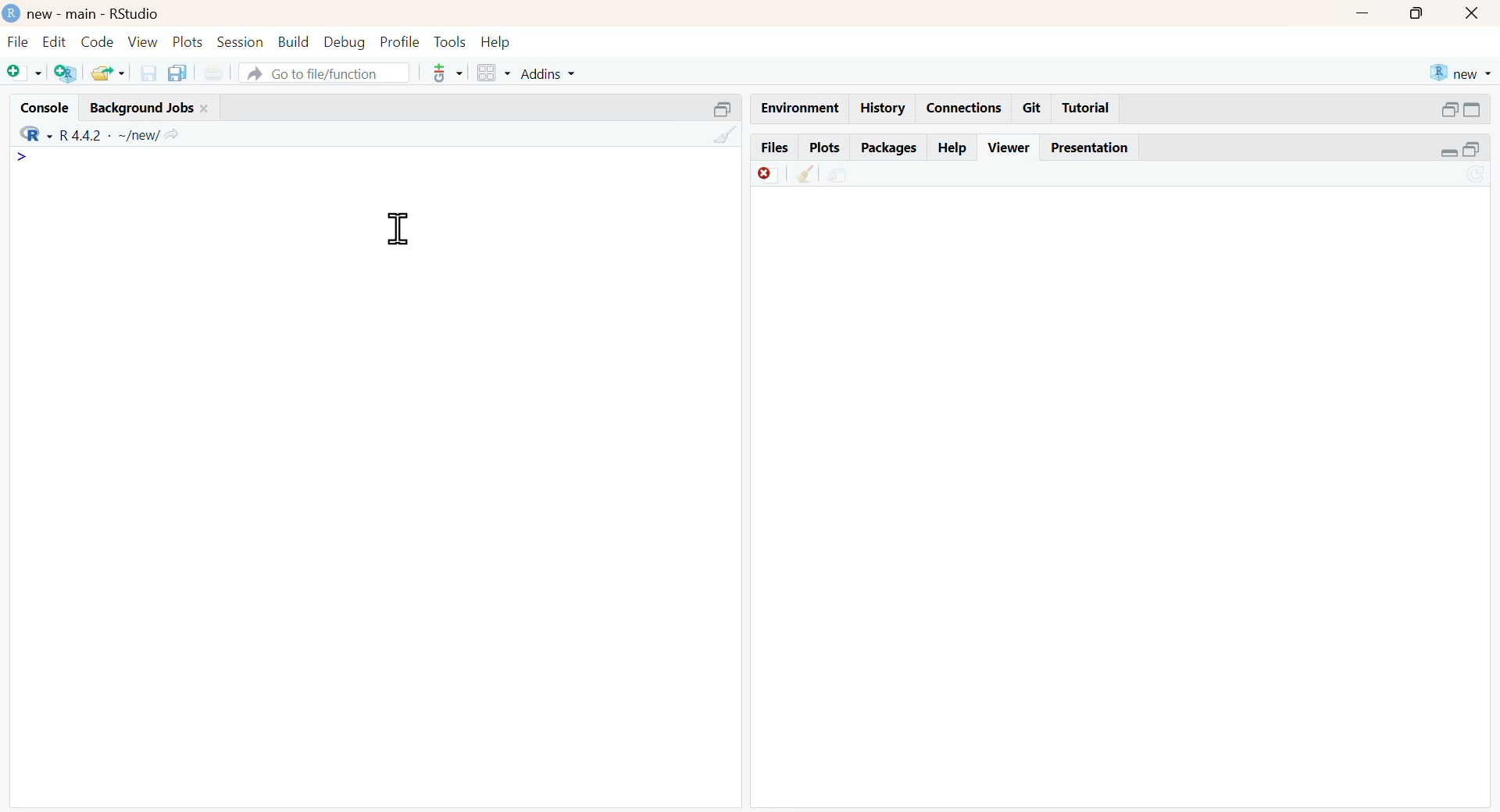 This screenshot has height=812, width=1500. Describe the element at coordinates (177, 73) in the screenshot. I see `Save all open documents` at that location.